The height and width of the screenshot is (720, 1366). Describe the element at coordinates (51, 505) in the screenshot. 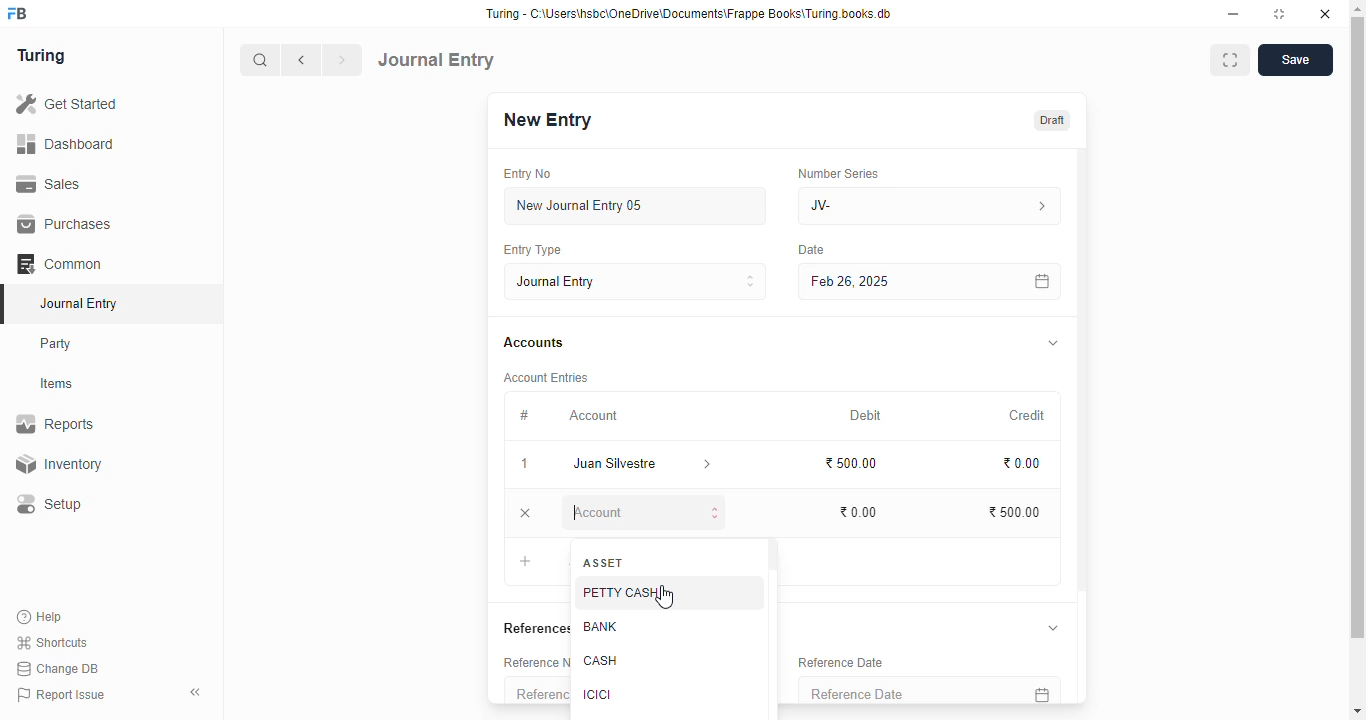

I see `setup` at that location.